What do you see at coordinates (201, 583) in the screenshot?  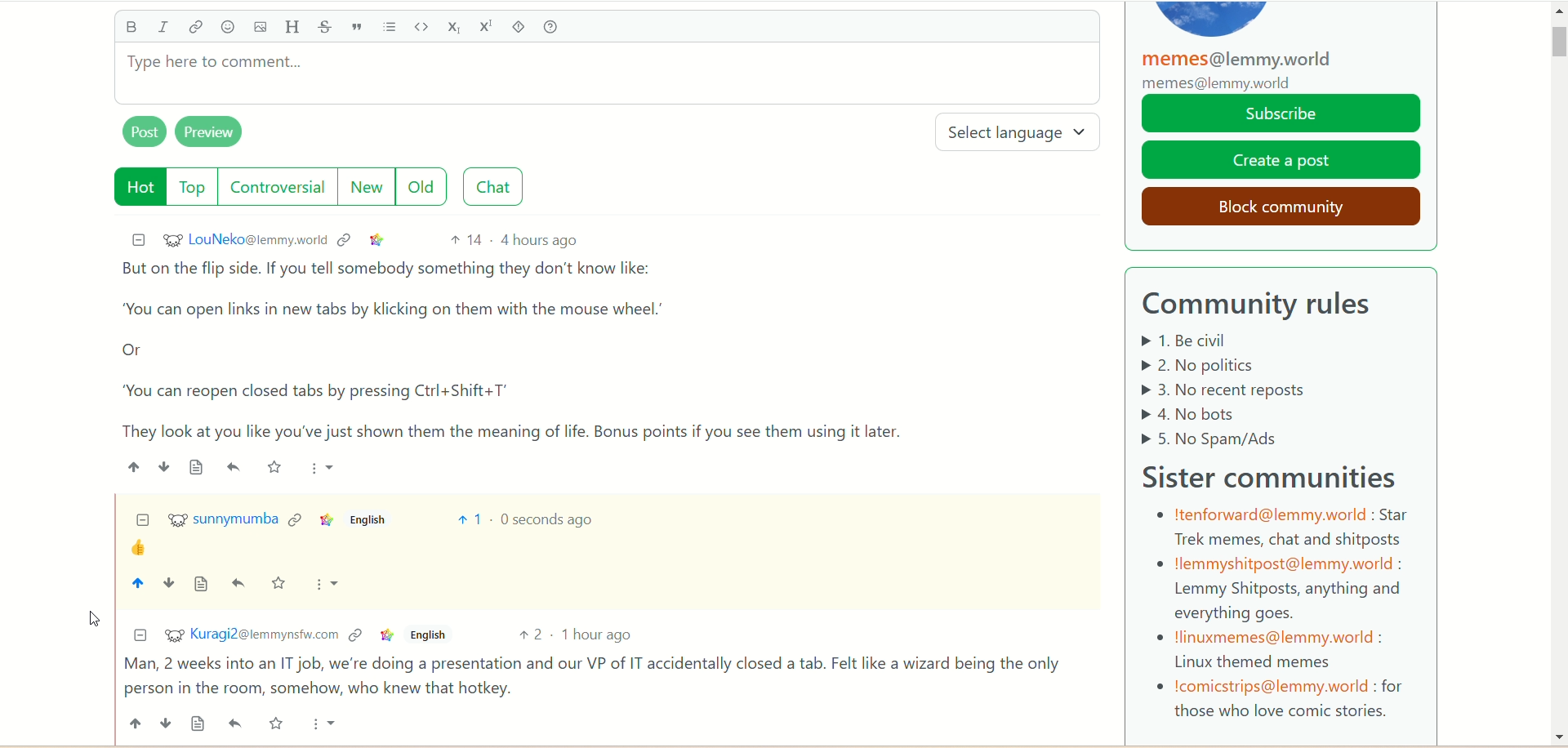 I see `source` at bounding box center [201, 583].